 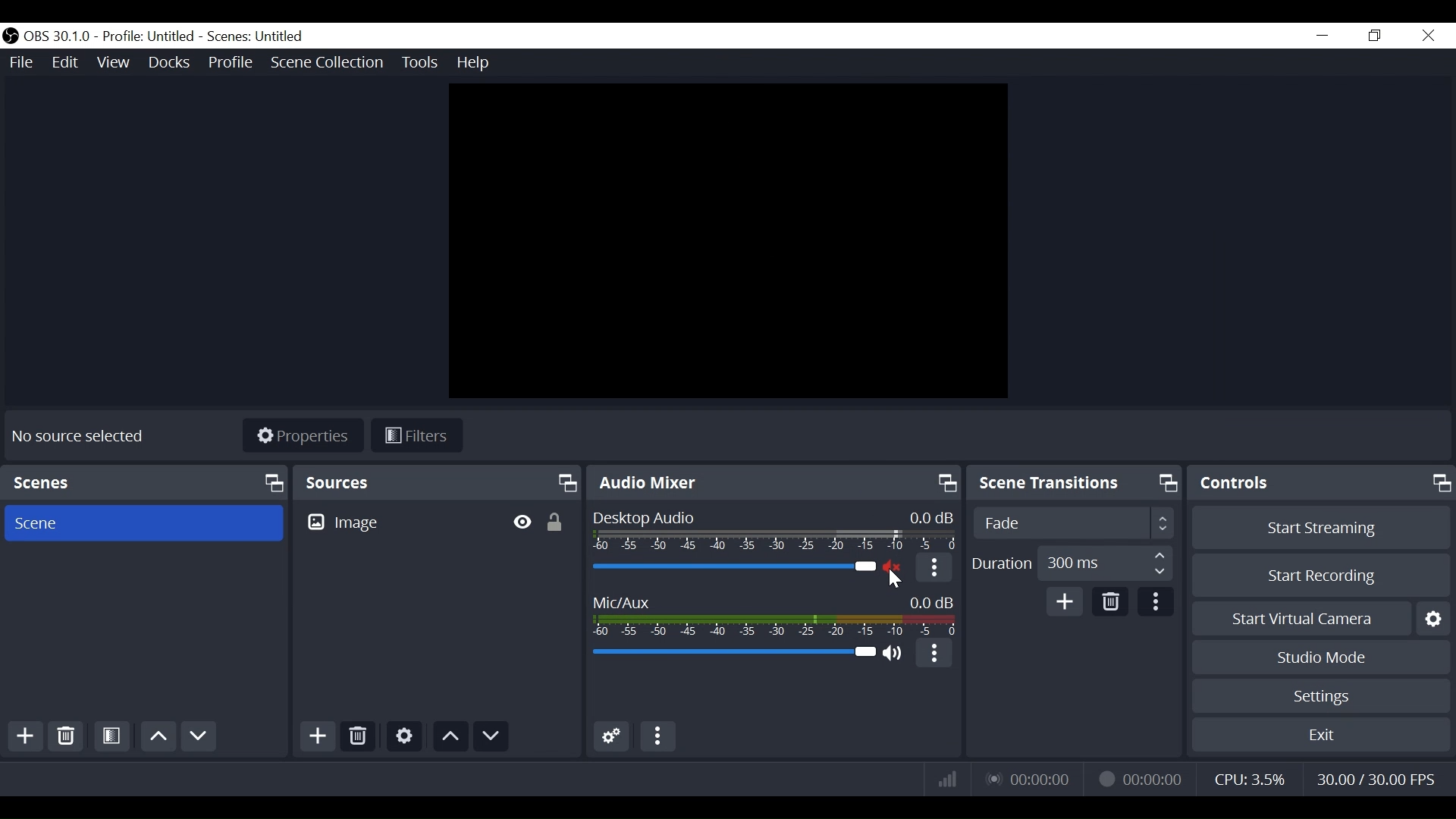 What do you see at coordinates (449, 736) in the screenshot?
I see `Move Up` at bounding box center [449, 736].